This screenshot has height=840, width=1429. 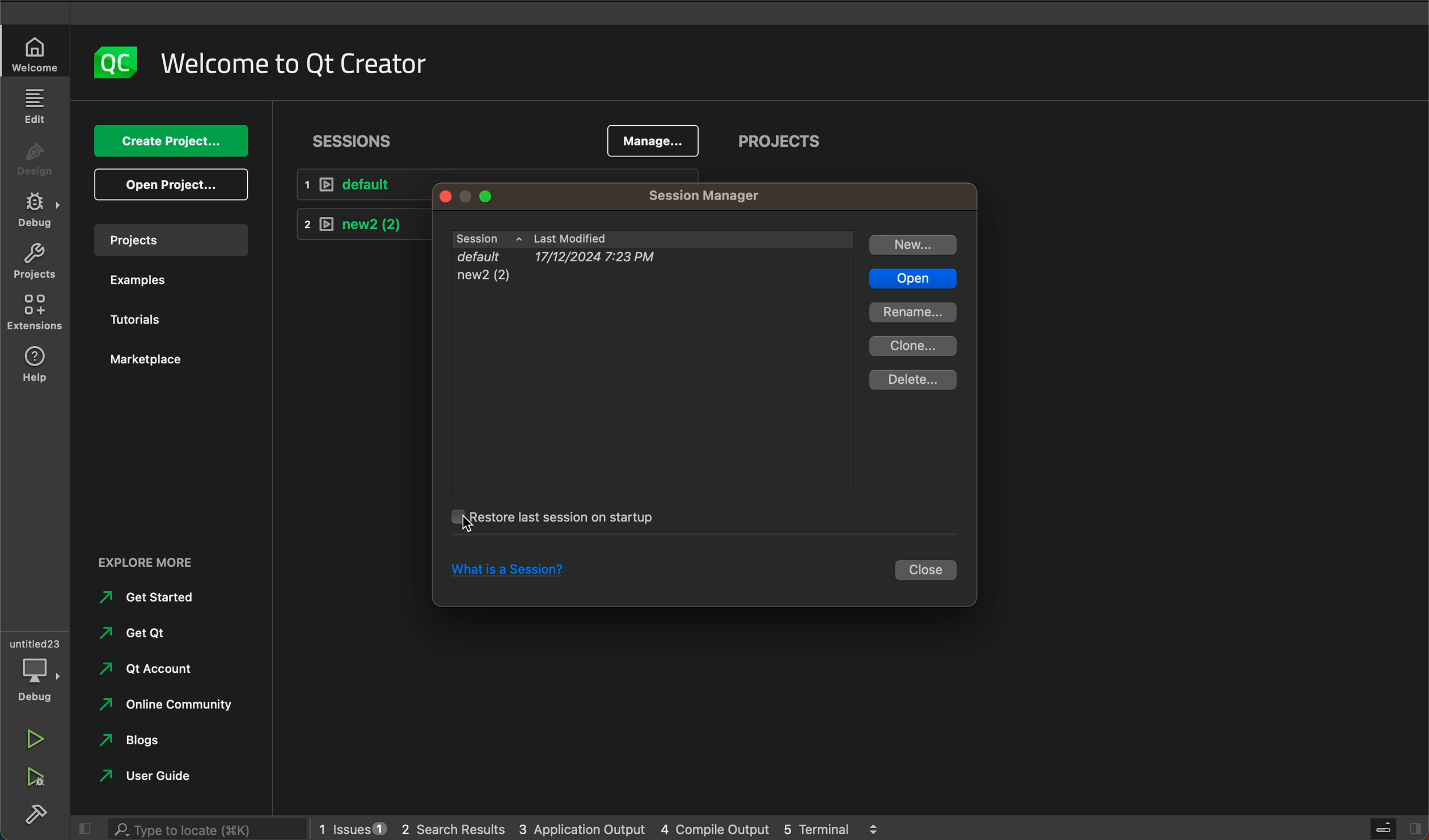 What do you see at coordinates (1390, 828) in the screenshot?
I see `close slide bar` at bounding box center [1390, 828].